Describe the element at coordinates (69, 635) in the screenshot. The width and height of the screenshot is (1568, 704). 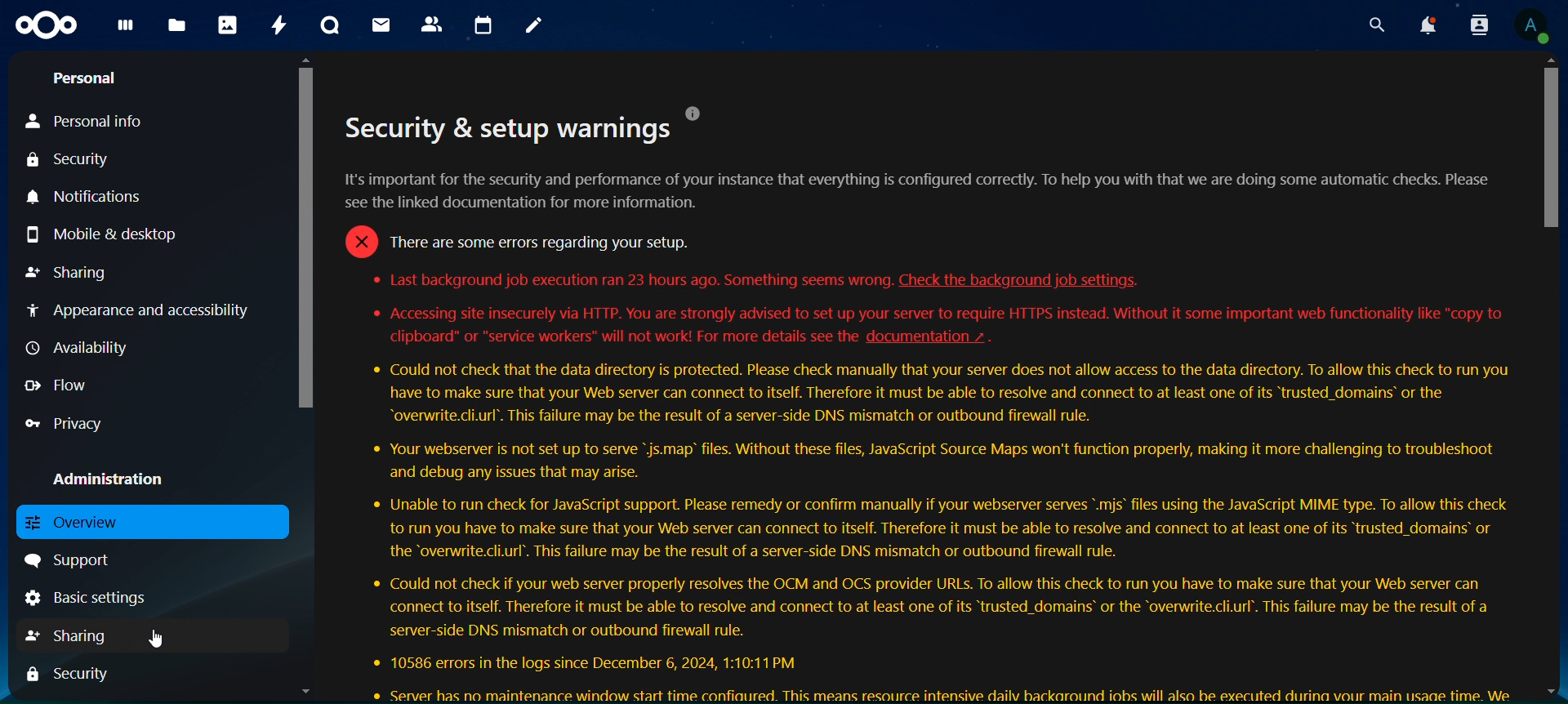
I see `sharing` at that location.